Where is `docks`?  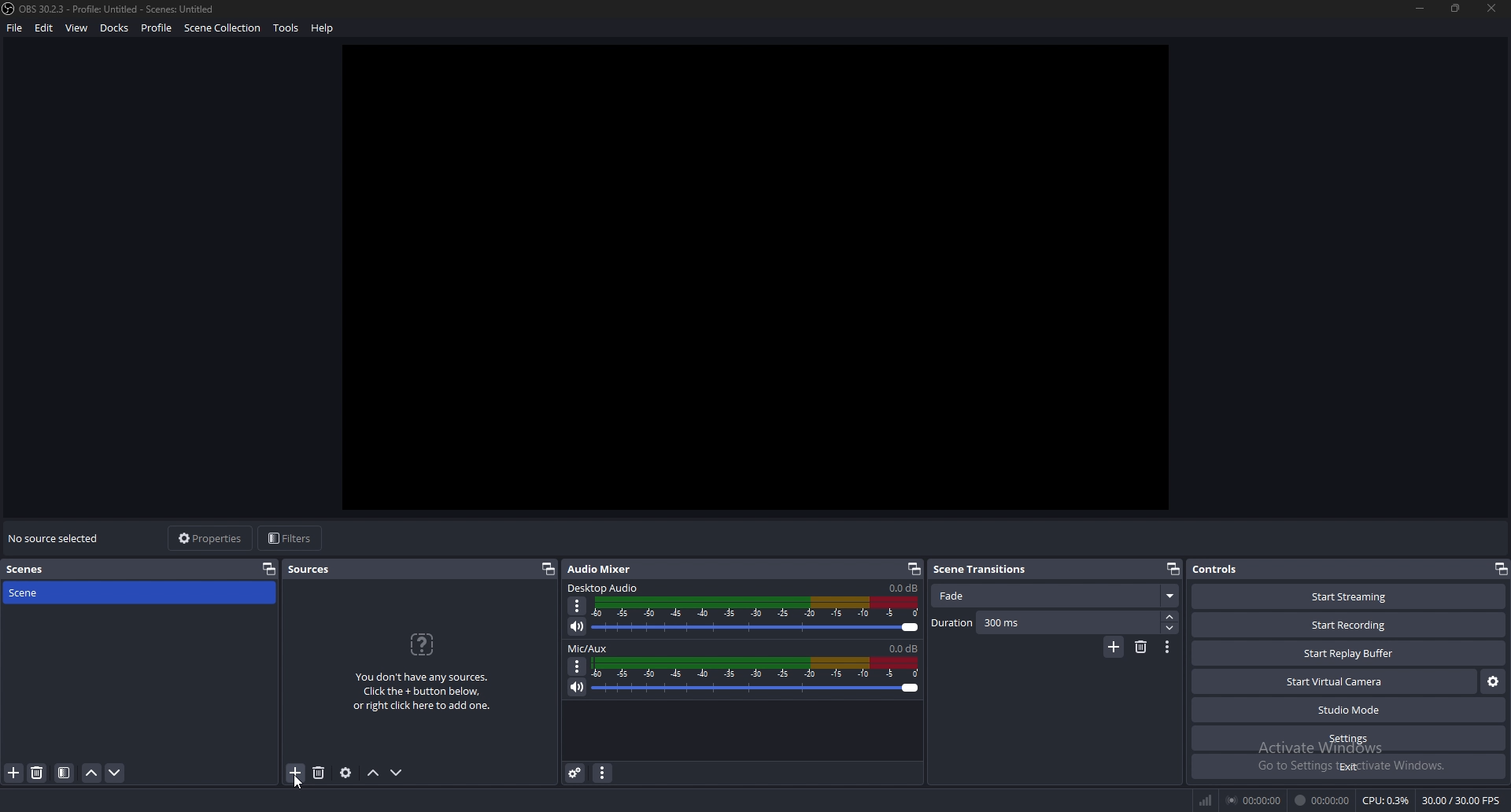 docks is located at coordinates (114, 28).